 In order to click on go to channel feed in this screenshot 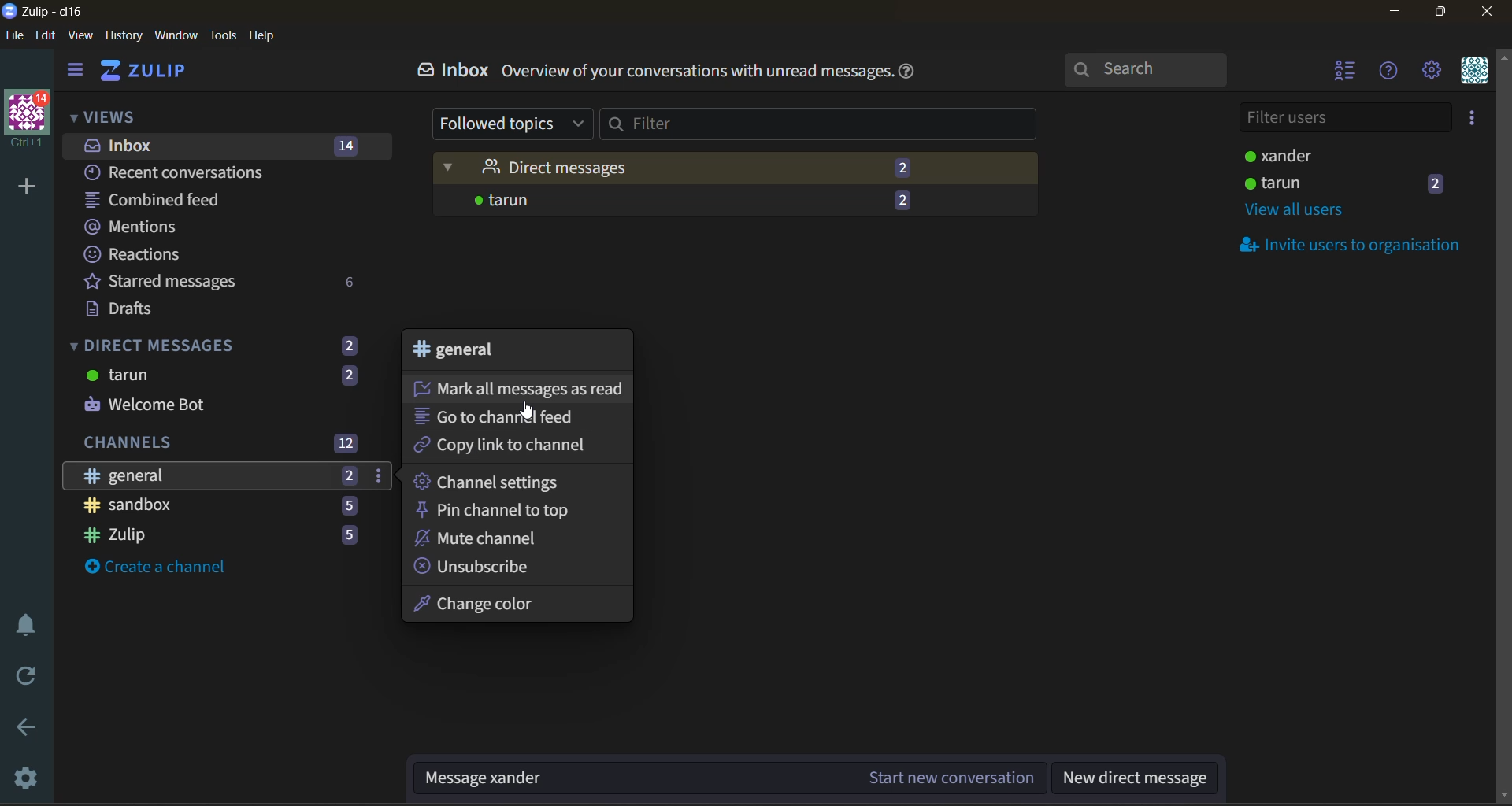, I will do `click(506, 417)`.